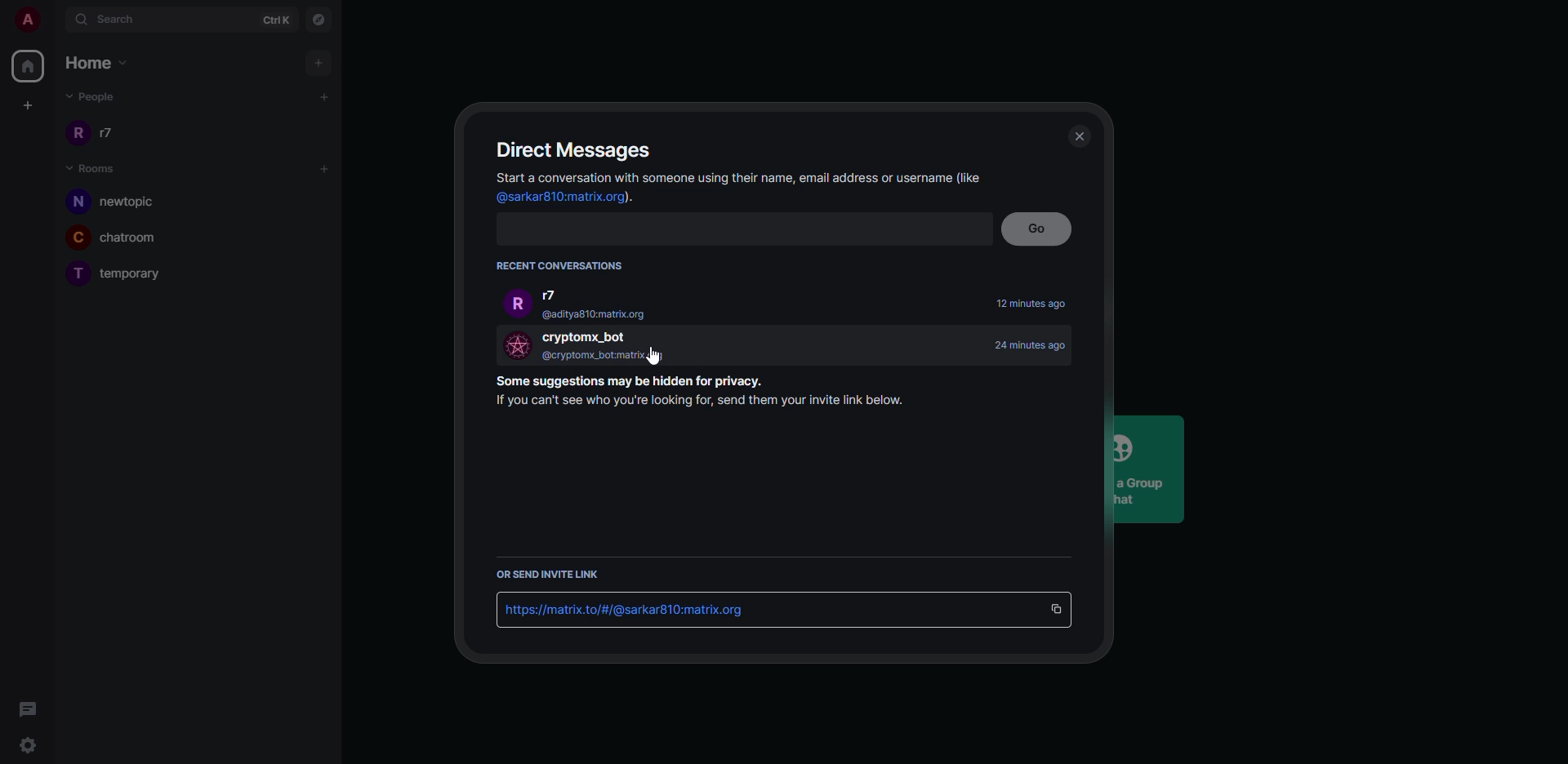  I want to click on rooms, so click(91, 169).